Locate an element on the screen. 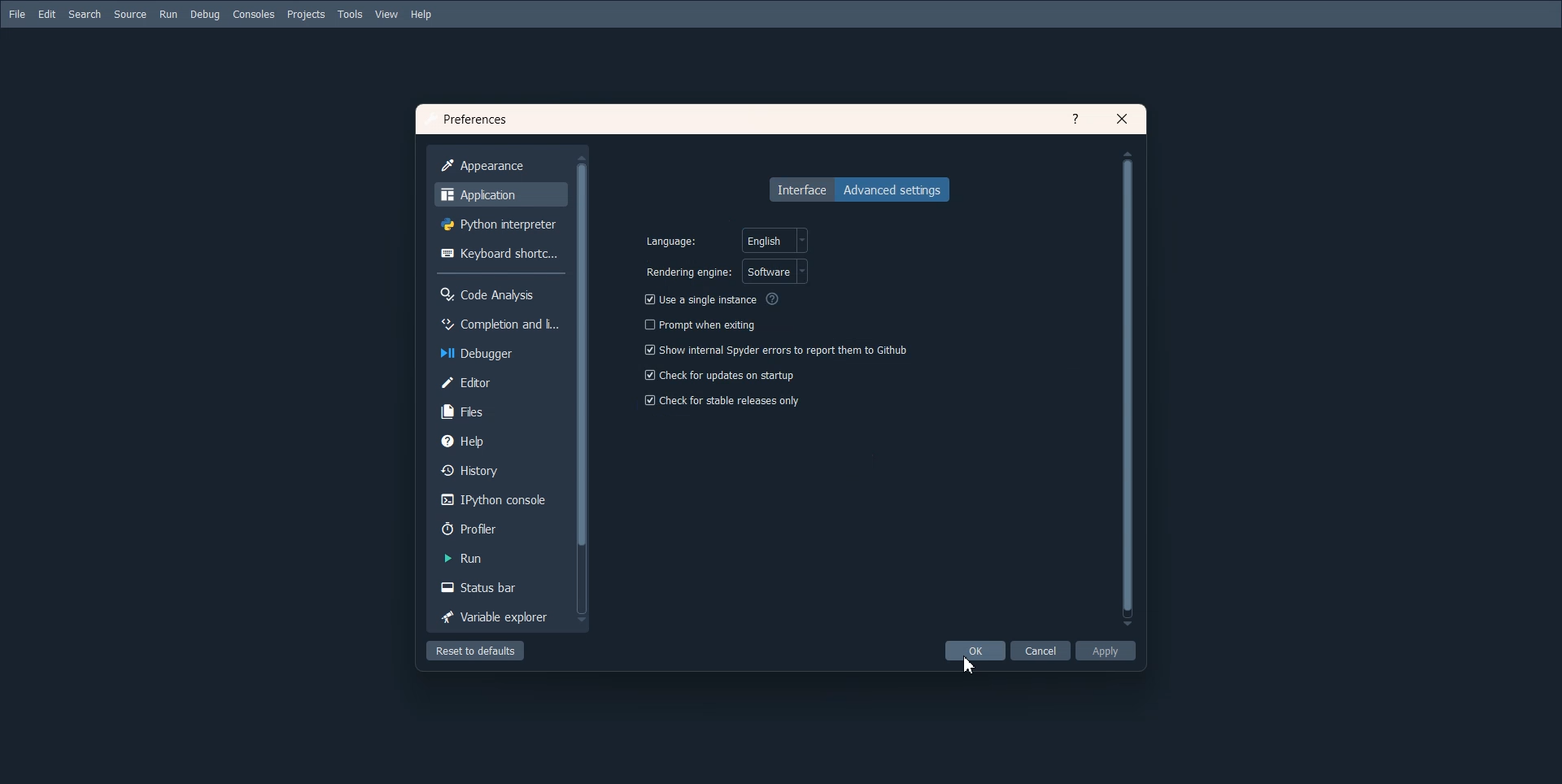  Cursor  is located at coordinates (971, 666).